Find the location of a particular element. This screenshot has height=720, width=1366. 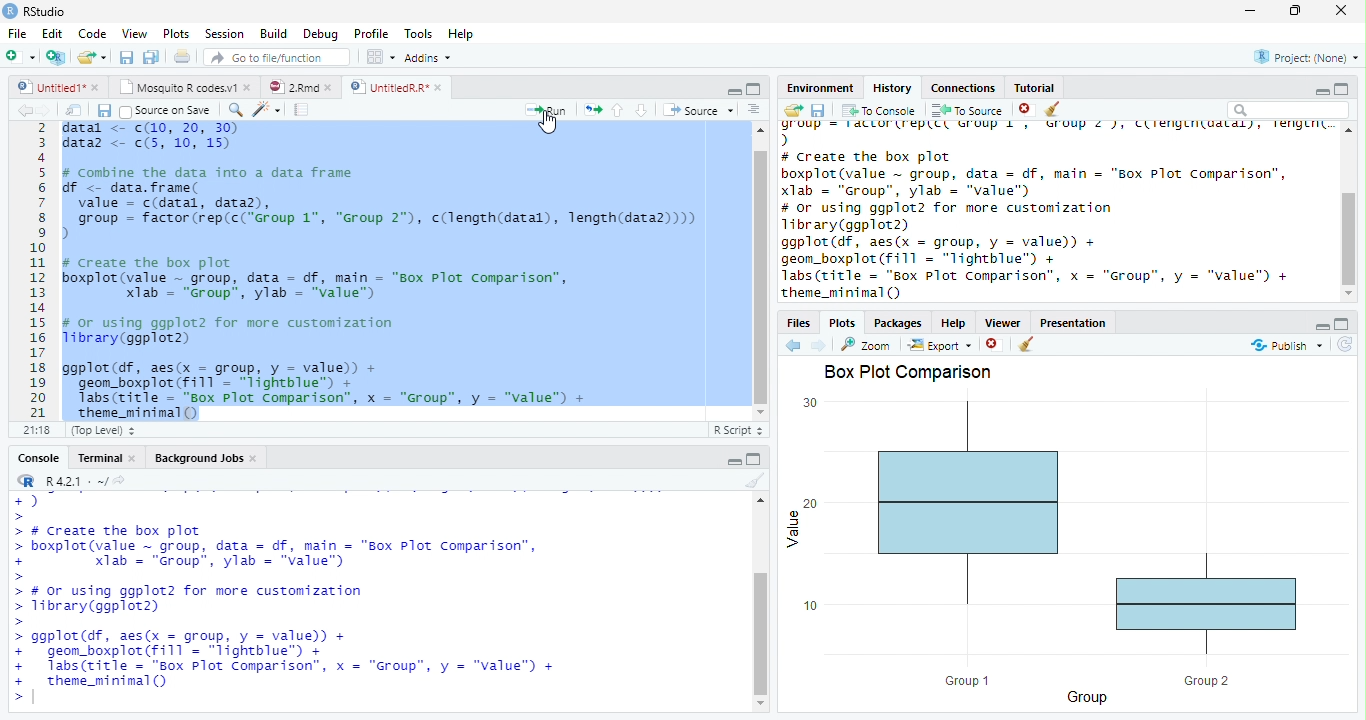

close is located at coordinates (254, 458).